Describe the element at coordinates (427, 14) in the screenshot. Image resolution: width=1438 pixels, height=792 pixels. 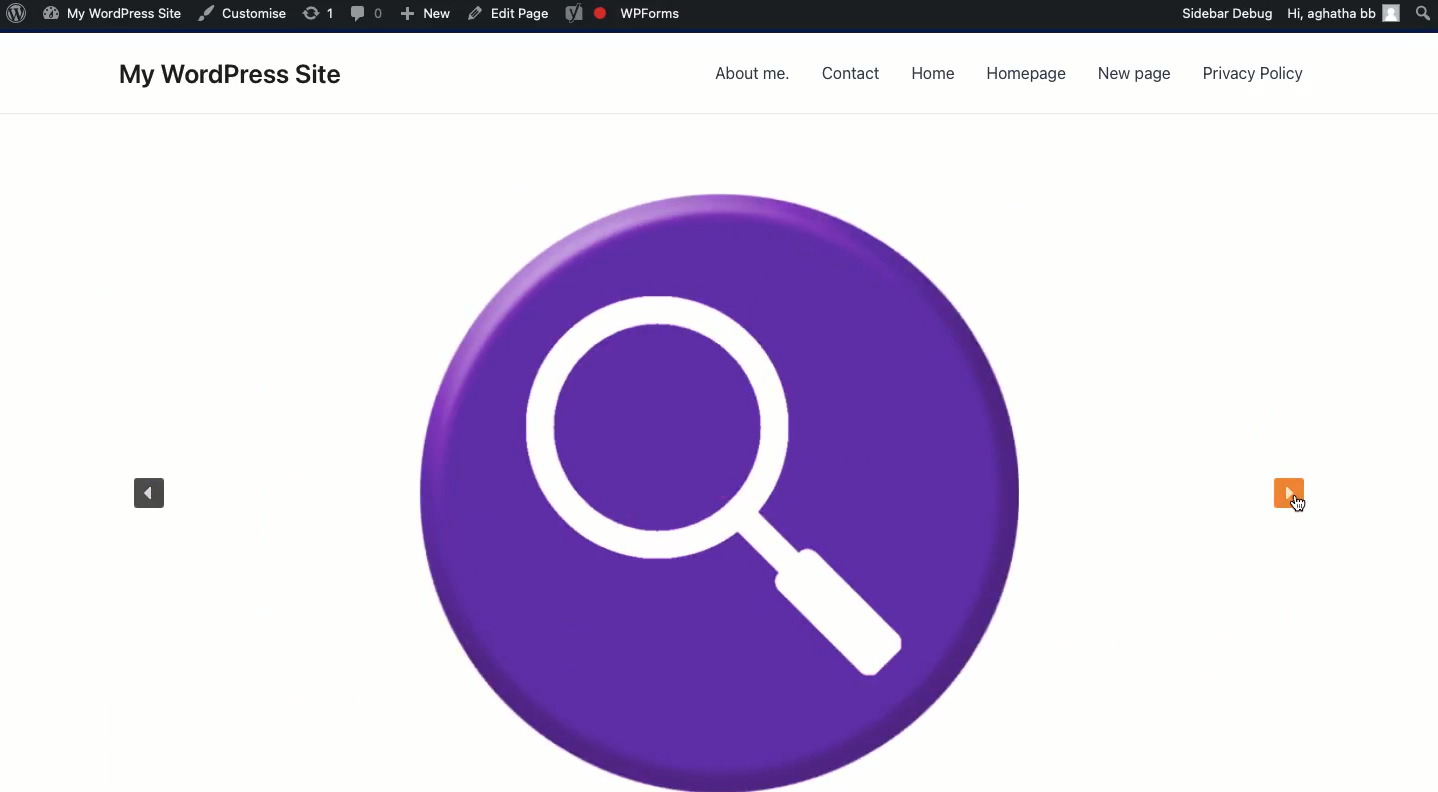
I see `new` at that location.